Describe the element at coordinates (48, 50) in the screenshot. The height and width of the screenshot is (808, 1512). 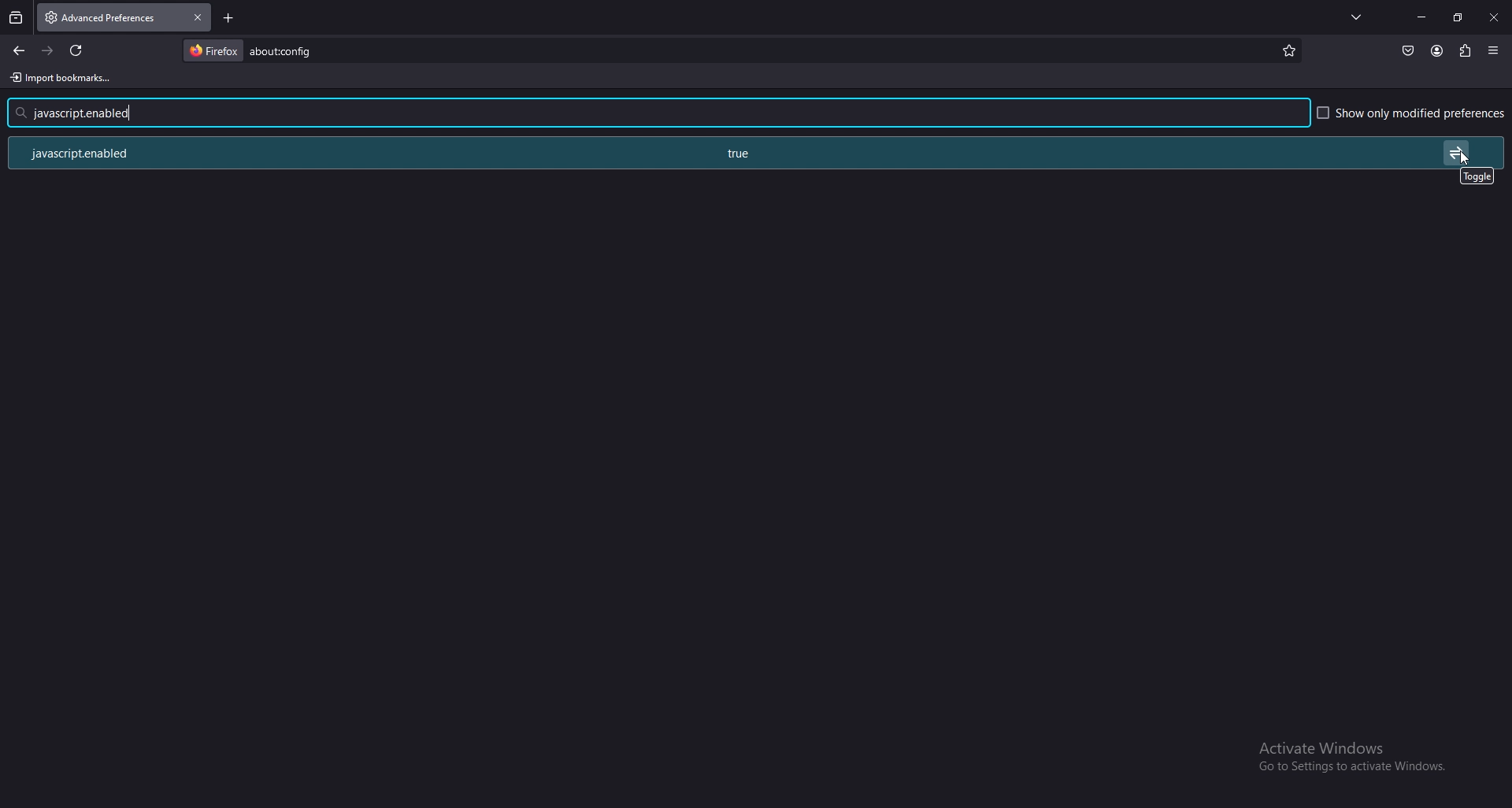
I see `forward` at that location.